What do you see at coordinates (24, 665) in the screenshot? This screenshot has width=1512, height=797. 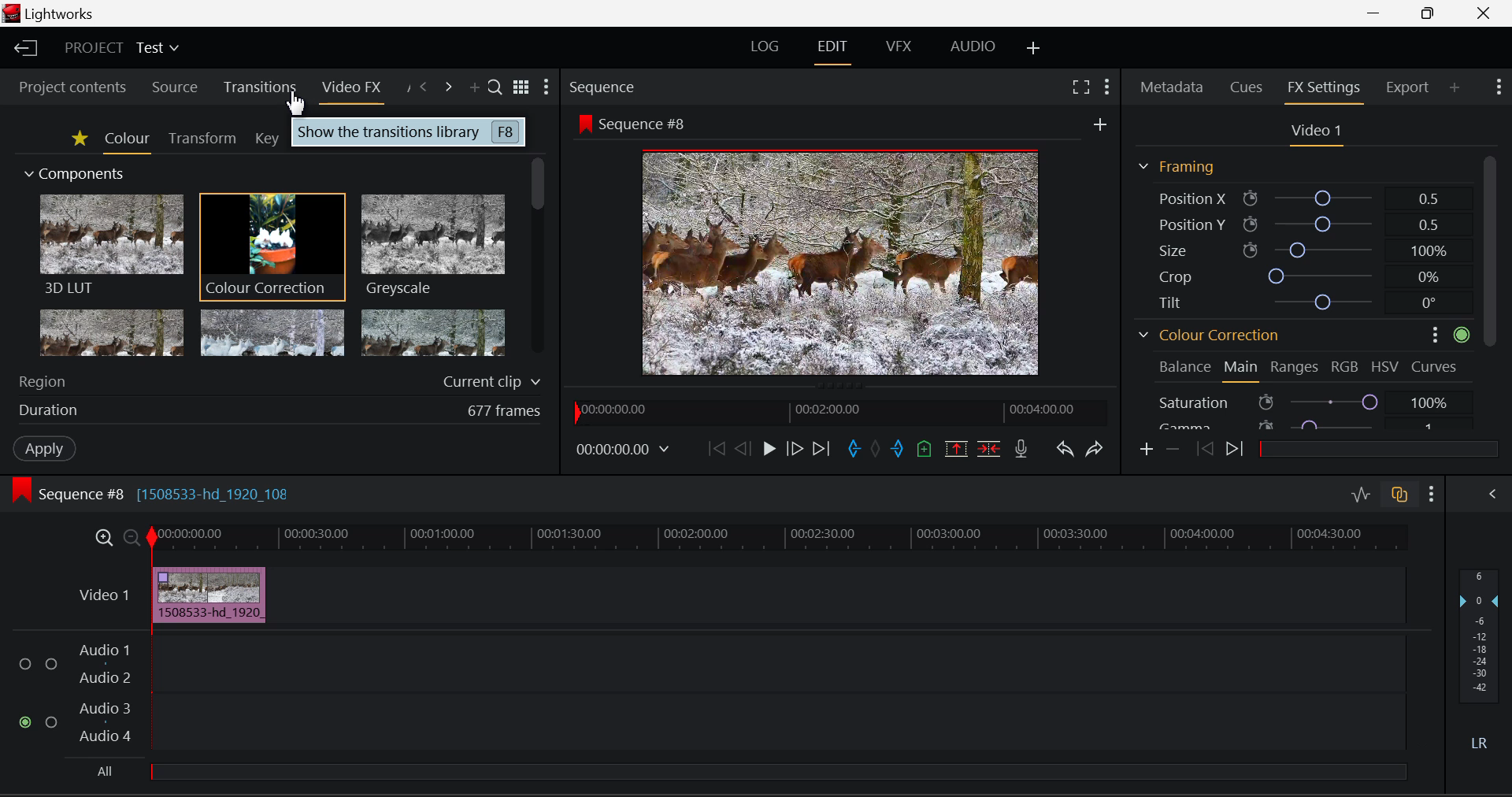 I see `Audio Input Checkbox` at bounding box center [24, 665].